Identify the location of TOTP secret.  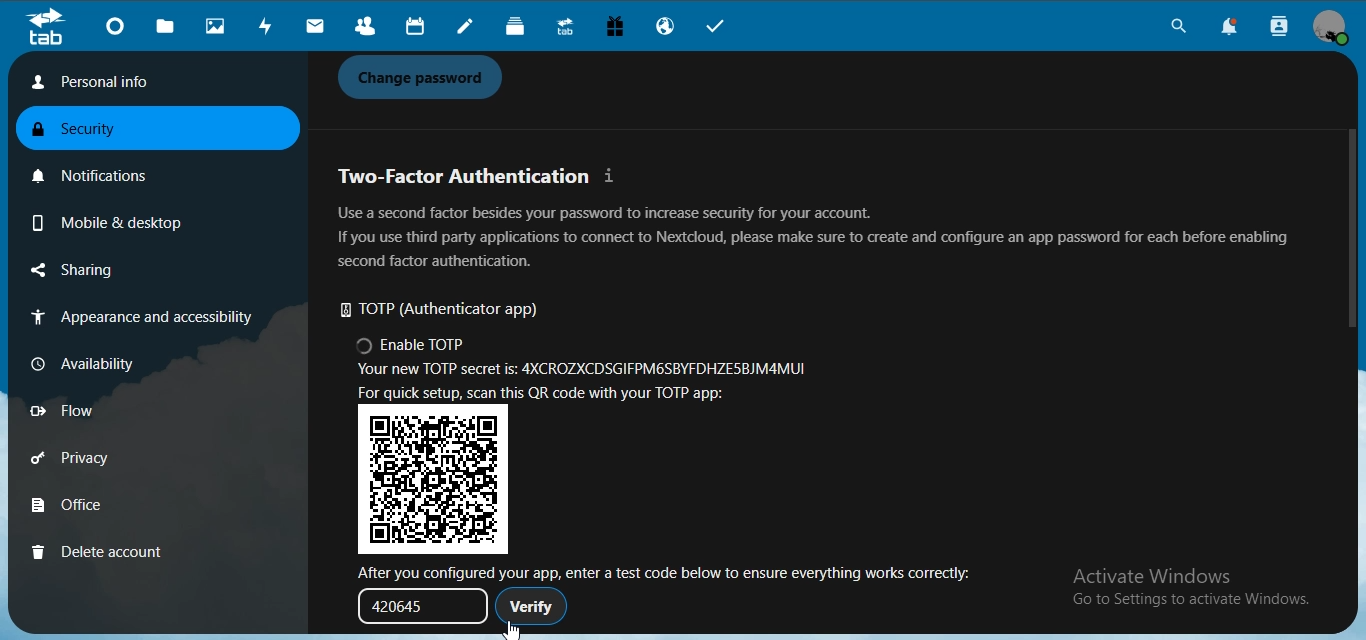
(586, 372).